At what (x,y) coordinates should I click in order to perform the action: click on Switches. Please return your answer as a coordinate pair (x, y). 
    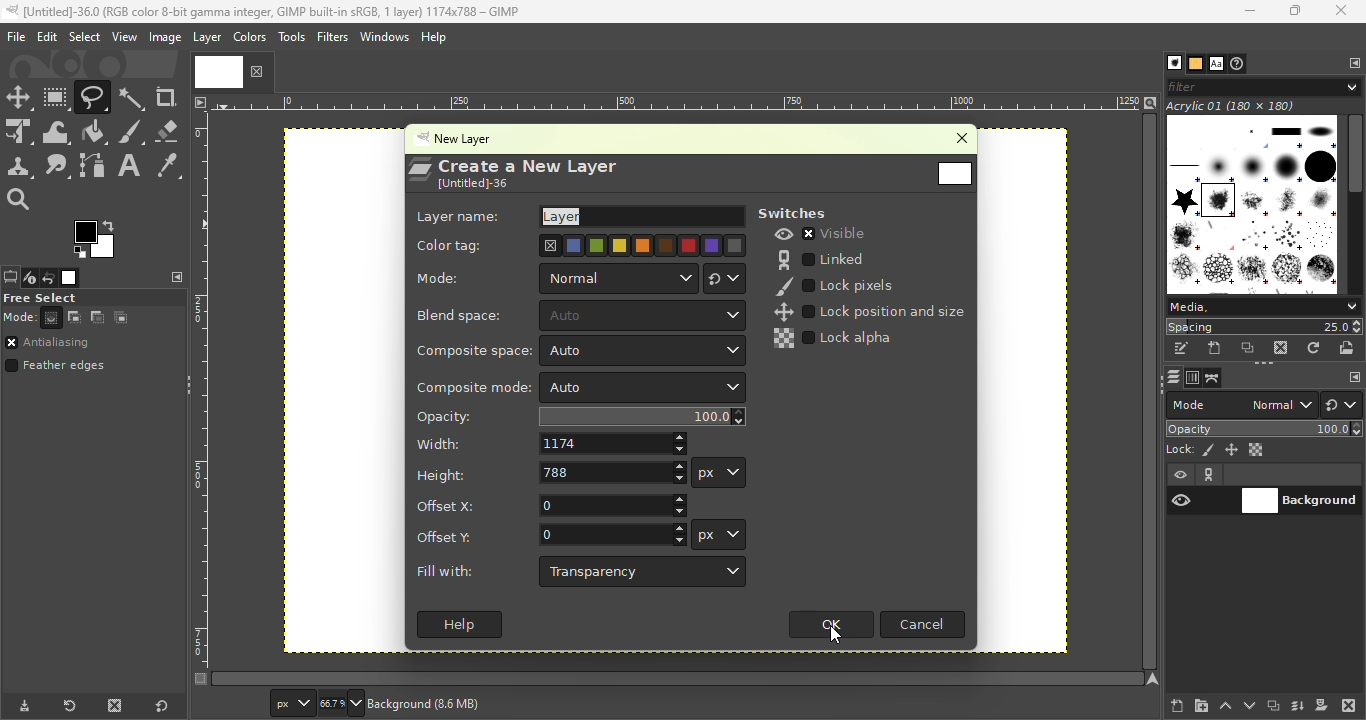
    Looking at the image, I should click on (799, 213).